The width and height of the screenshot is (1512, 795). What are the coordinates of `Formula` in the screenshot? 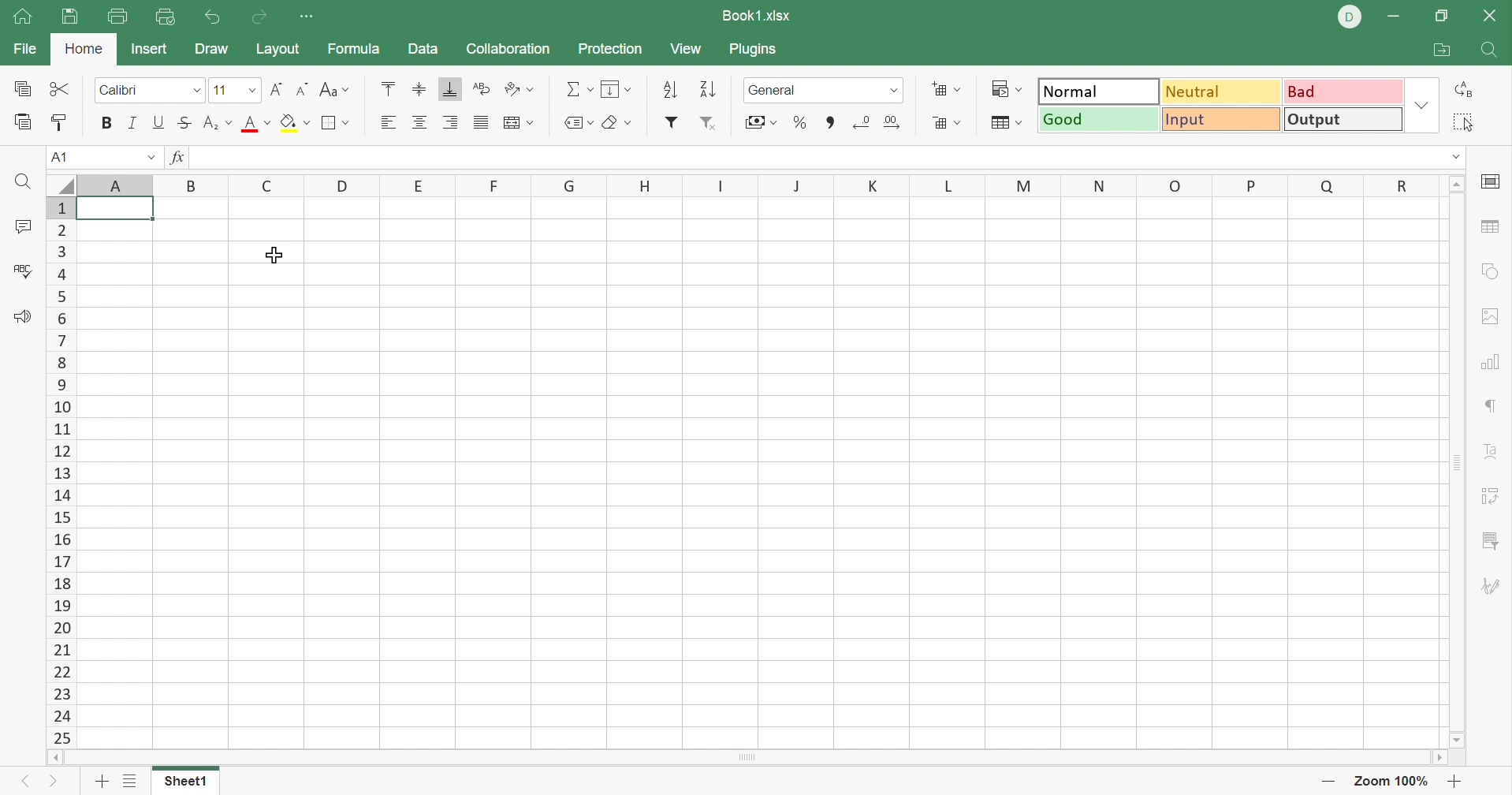 It's located at (357, 48).